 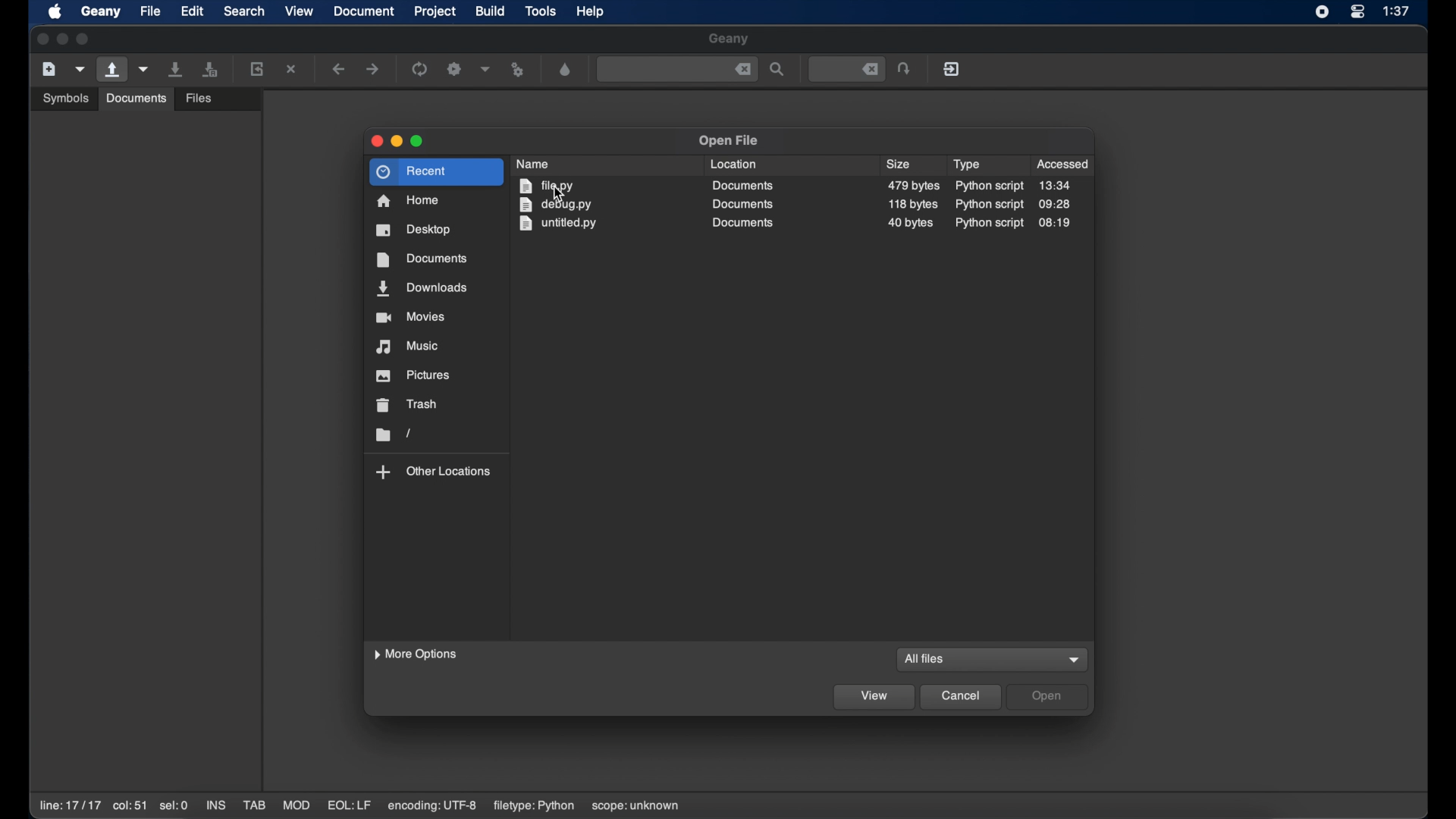 I want to click on control center, so click(x=1357, y=12).